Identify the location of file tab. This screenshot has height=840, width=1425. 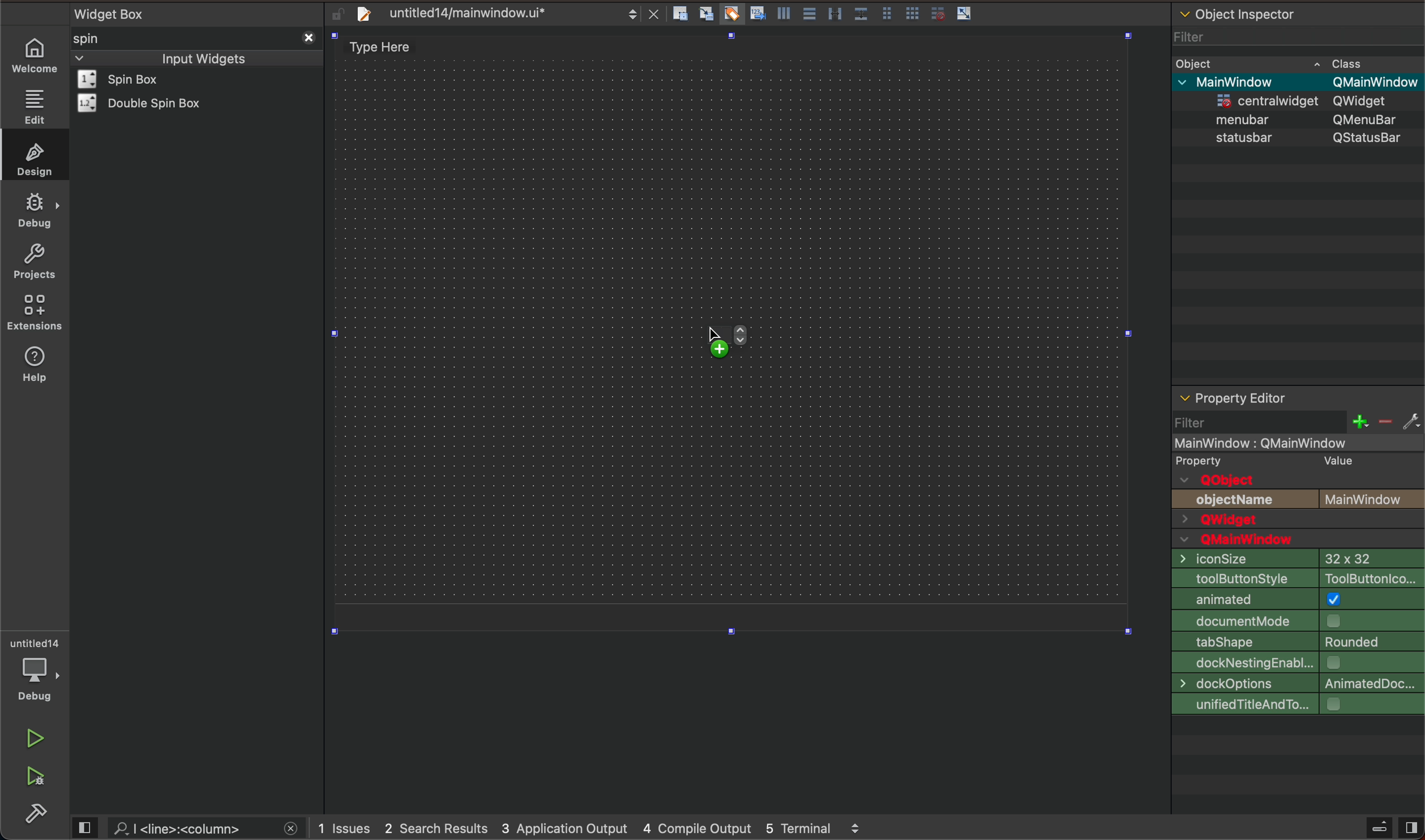
(495, 13).